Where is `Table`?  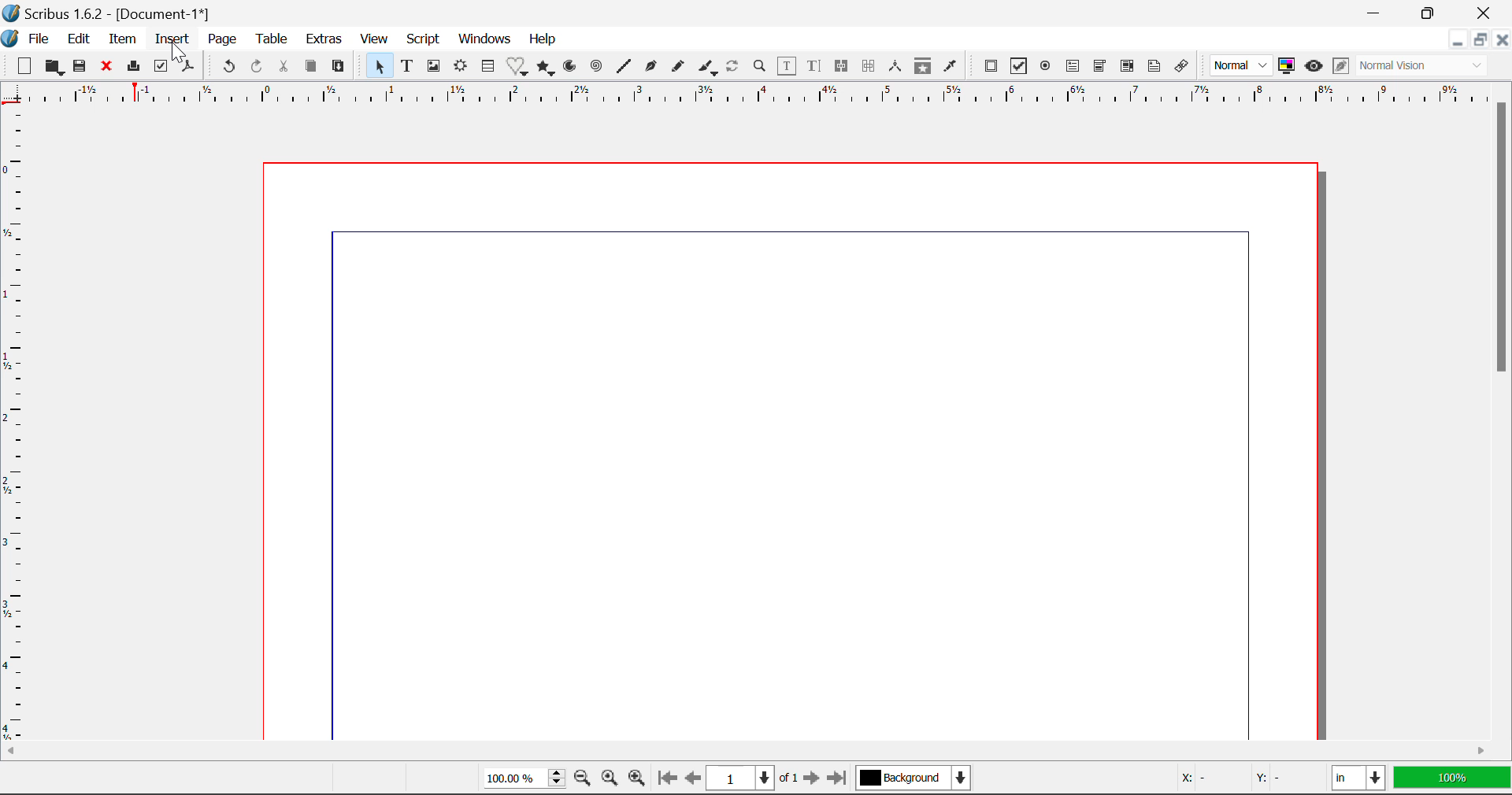
Table is located at coordinates (274, 39).